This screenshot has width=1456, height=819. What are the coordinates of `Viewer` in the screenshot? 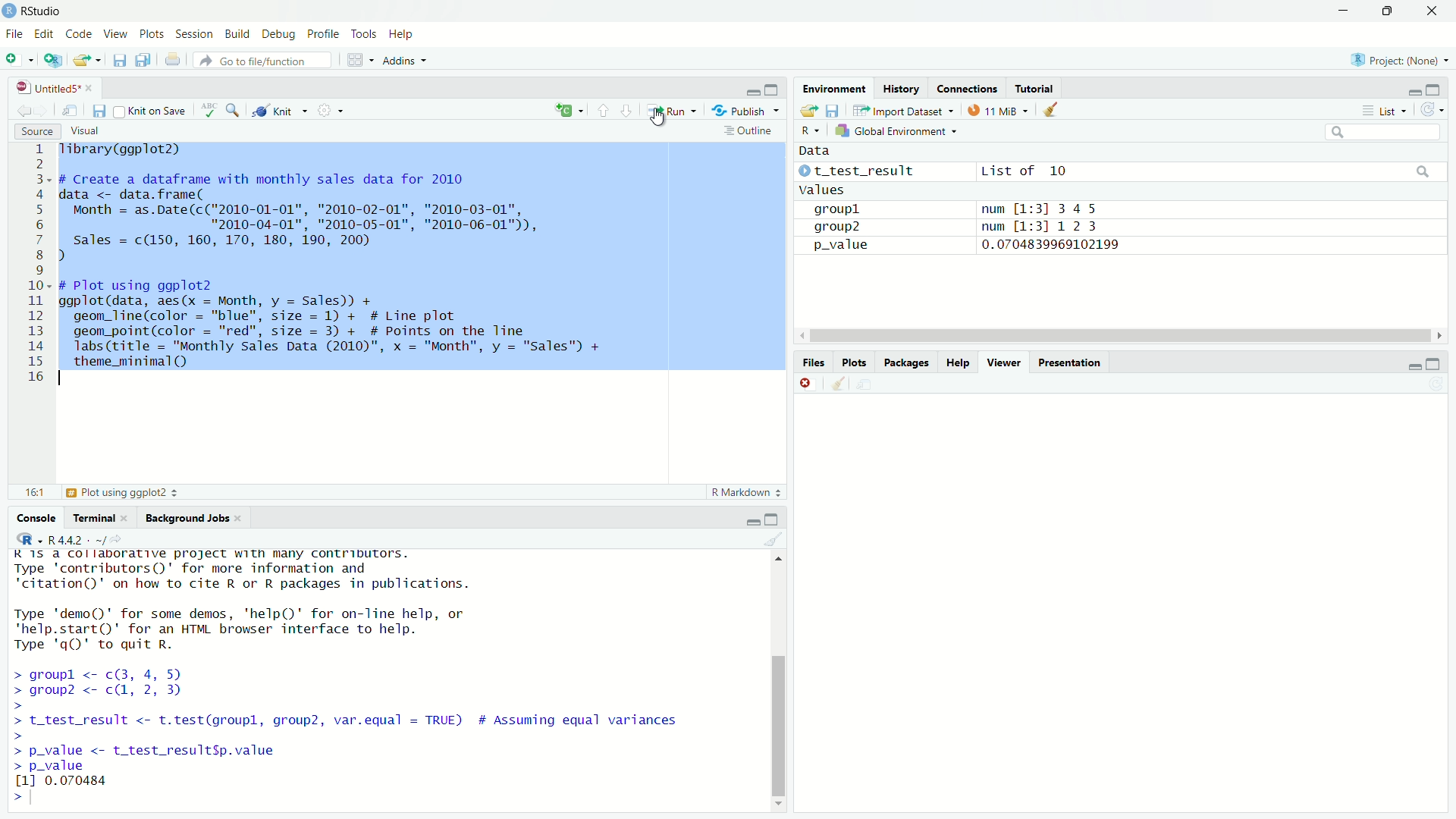 It's located at (1001, 361).